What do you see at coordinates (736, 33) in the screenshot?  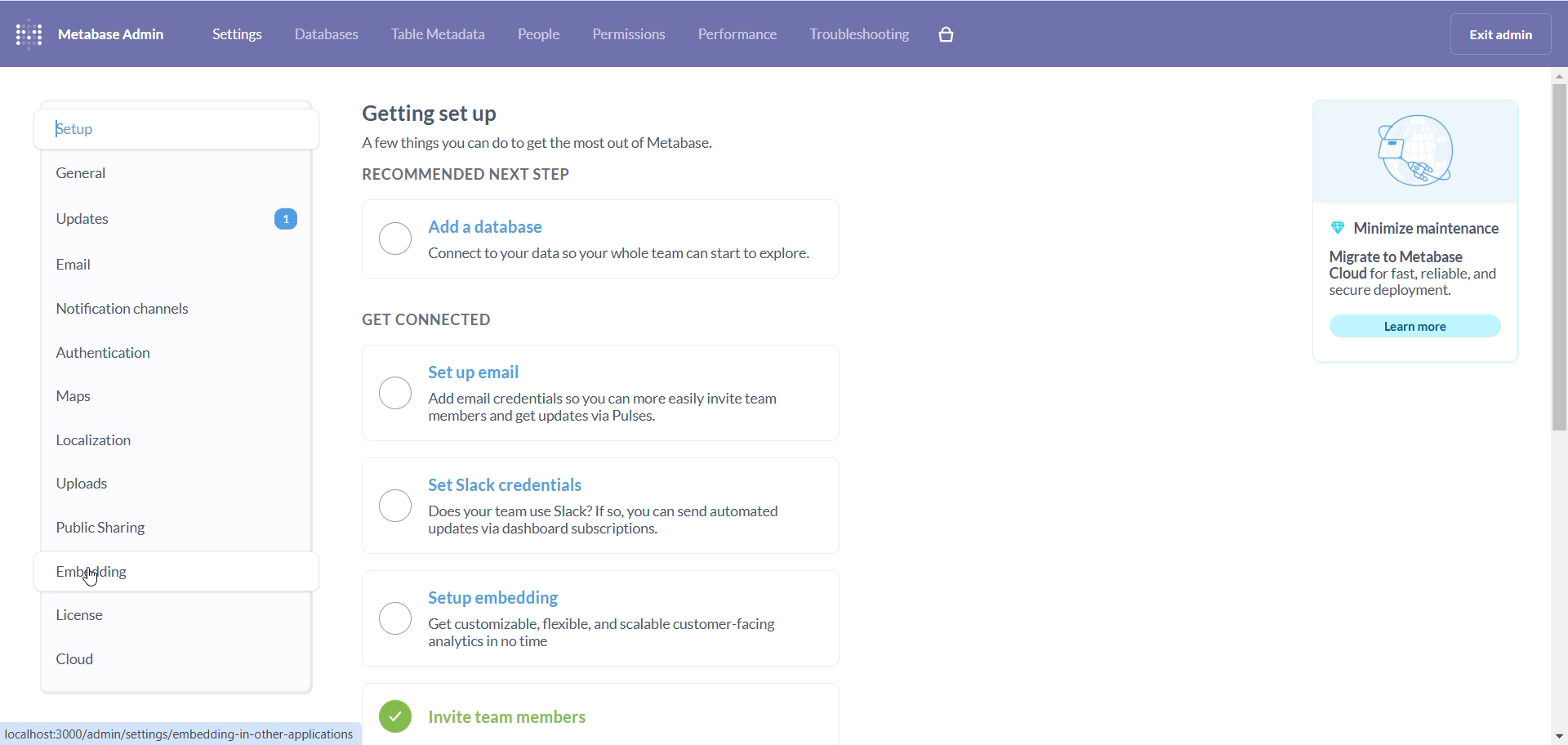 I see `performance` at bounding box center [736, 33].